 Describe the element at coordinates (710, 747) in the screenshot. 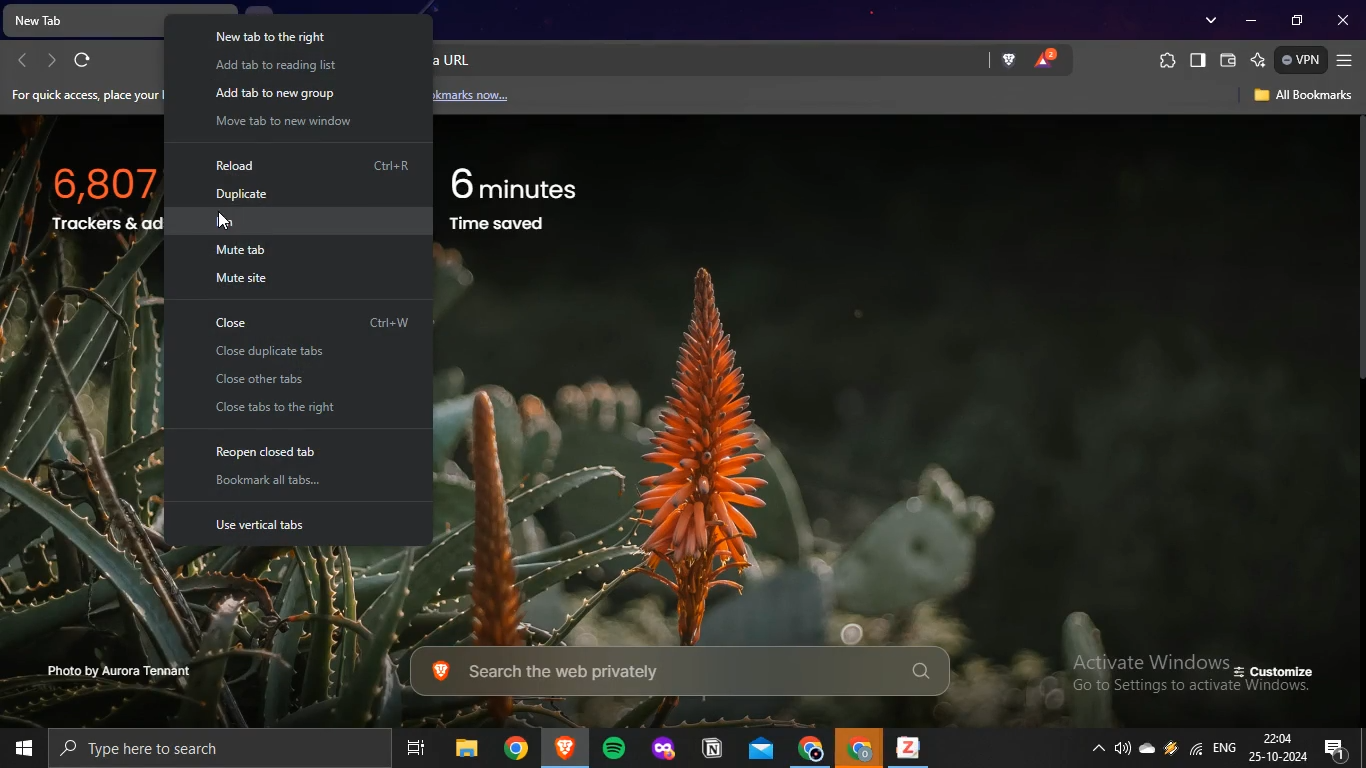

I see `notion` at that location.